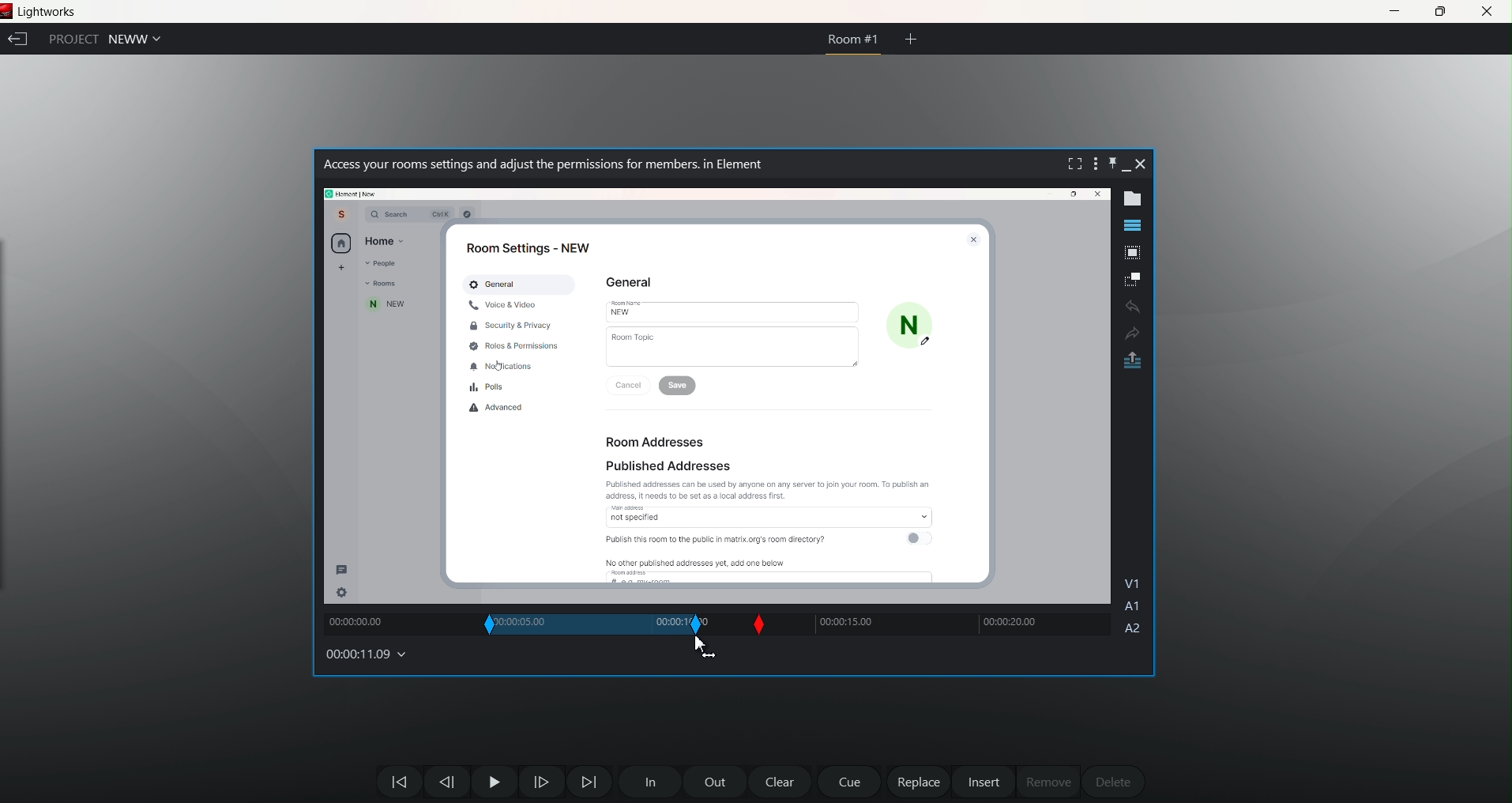 The width and height of the screenshot is (1512, 803). I want to click on show timeline, so click(1130, 225).